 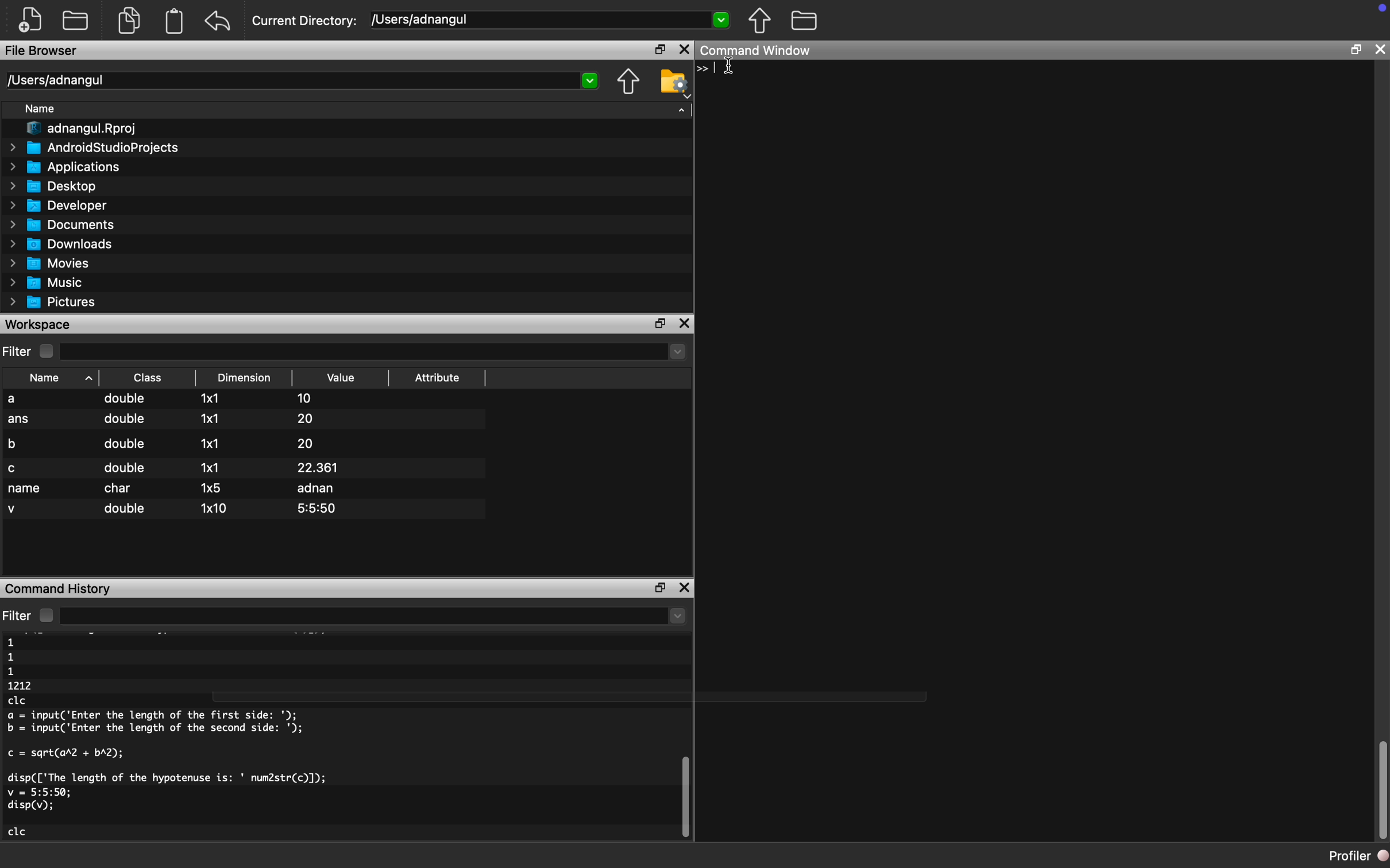 I want to click on adnan, so click(x=316, y=489).